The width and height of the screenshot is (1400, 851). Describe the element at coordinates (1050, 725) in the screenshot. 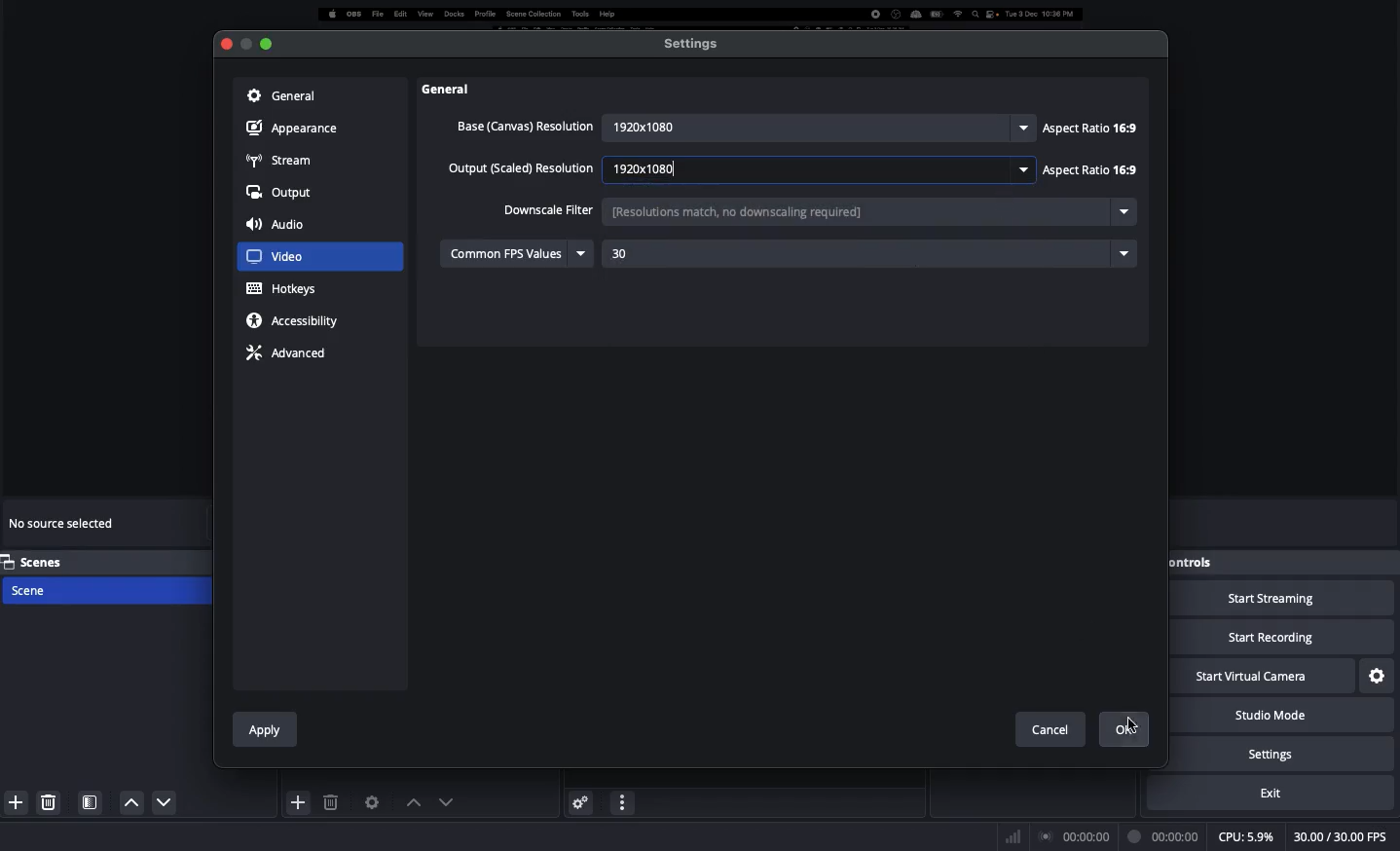

I see `Cancel` at that location.